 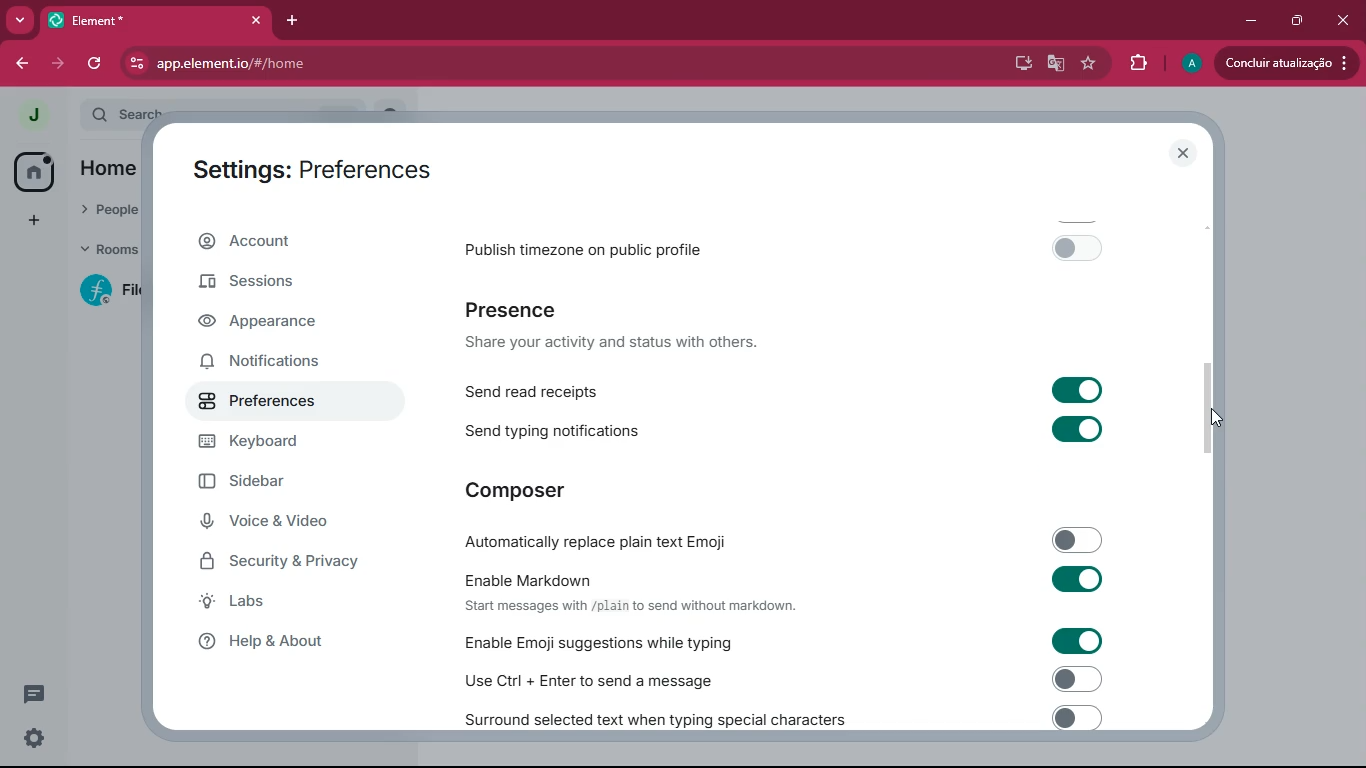 I want to click on desktop, so click(x=1017, y=64).